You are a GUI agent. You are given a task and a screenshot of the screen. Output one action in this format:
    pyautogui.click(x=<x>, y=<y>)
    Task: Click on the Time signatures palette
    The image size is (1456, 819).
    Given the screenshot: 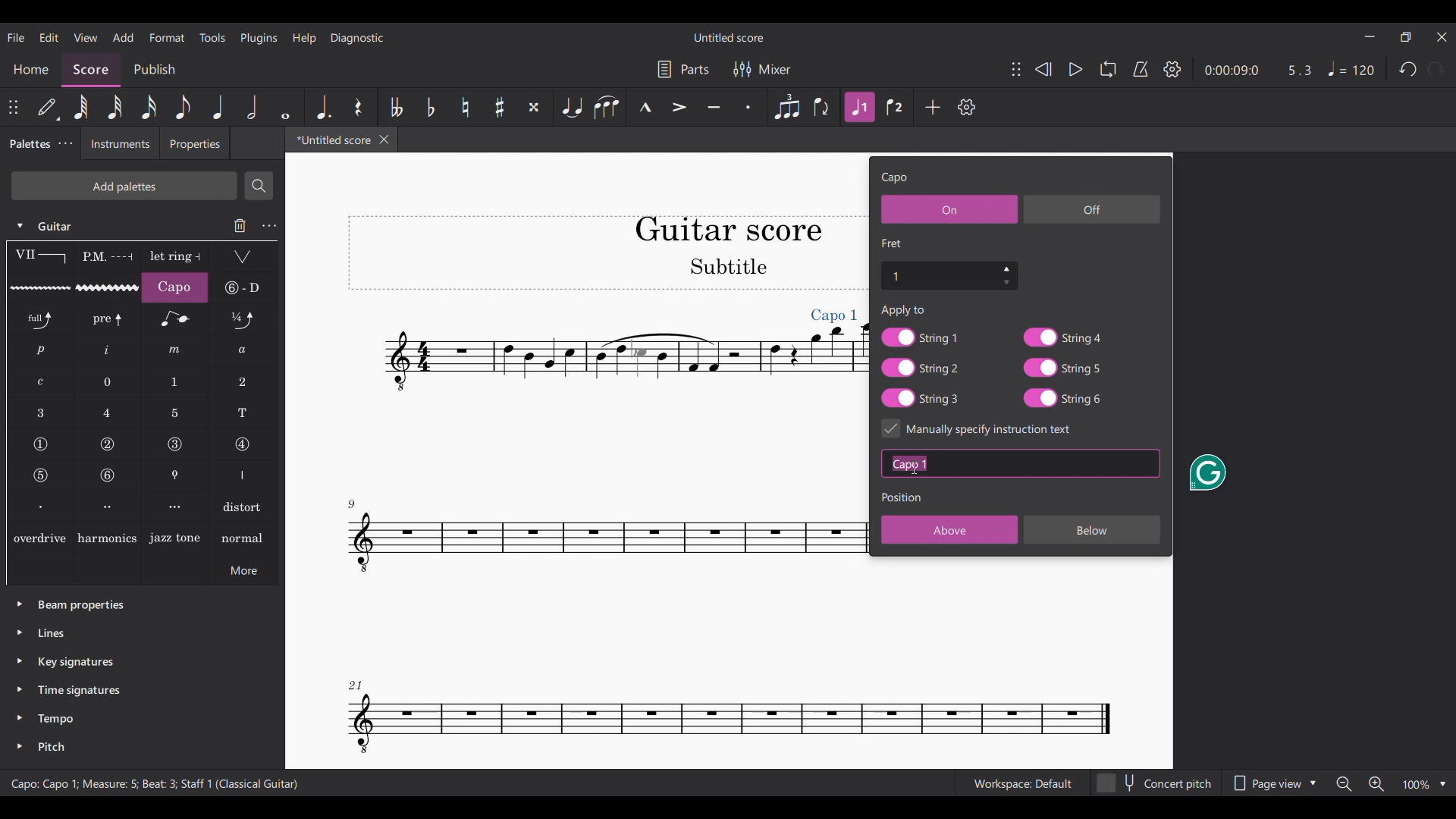 What is the action you would take?
    pyautogui.click(x=79, y=690)
    